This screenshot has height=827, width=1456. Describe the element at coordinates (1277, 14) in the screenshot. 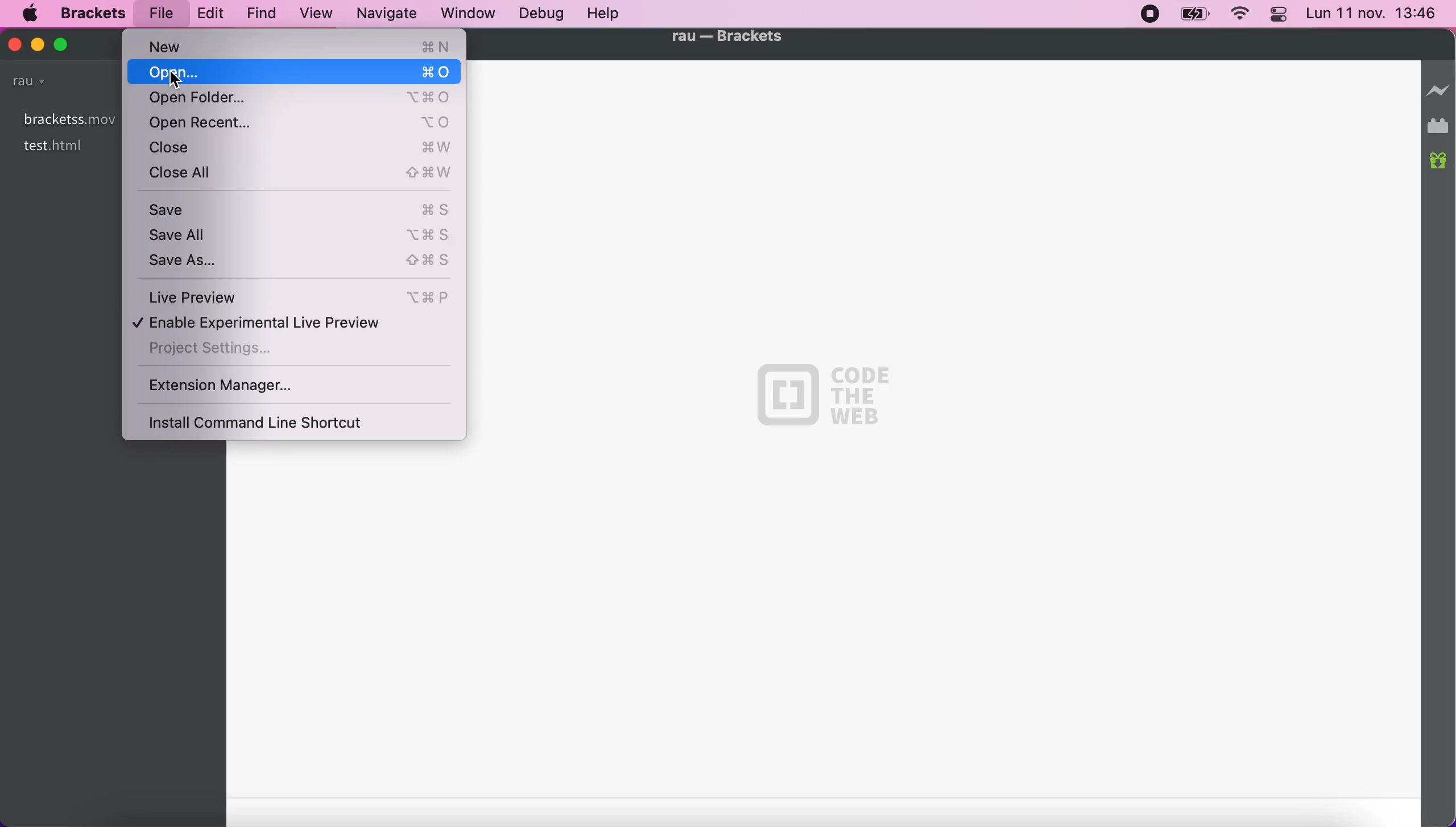

I see `panel control` at that location.